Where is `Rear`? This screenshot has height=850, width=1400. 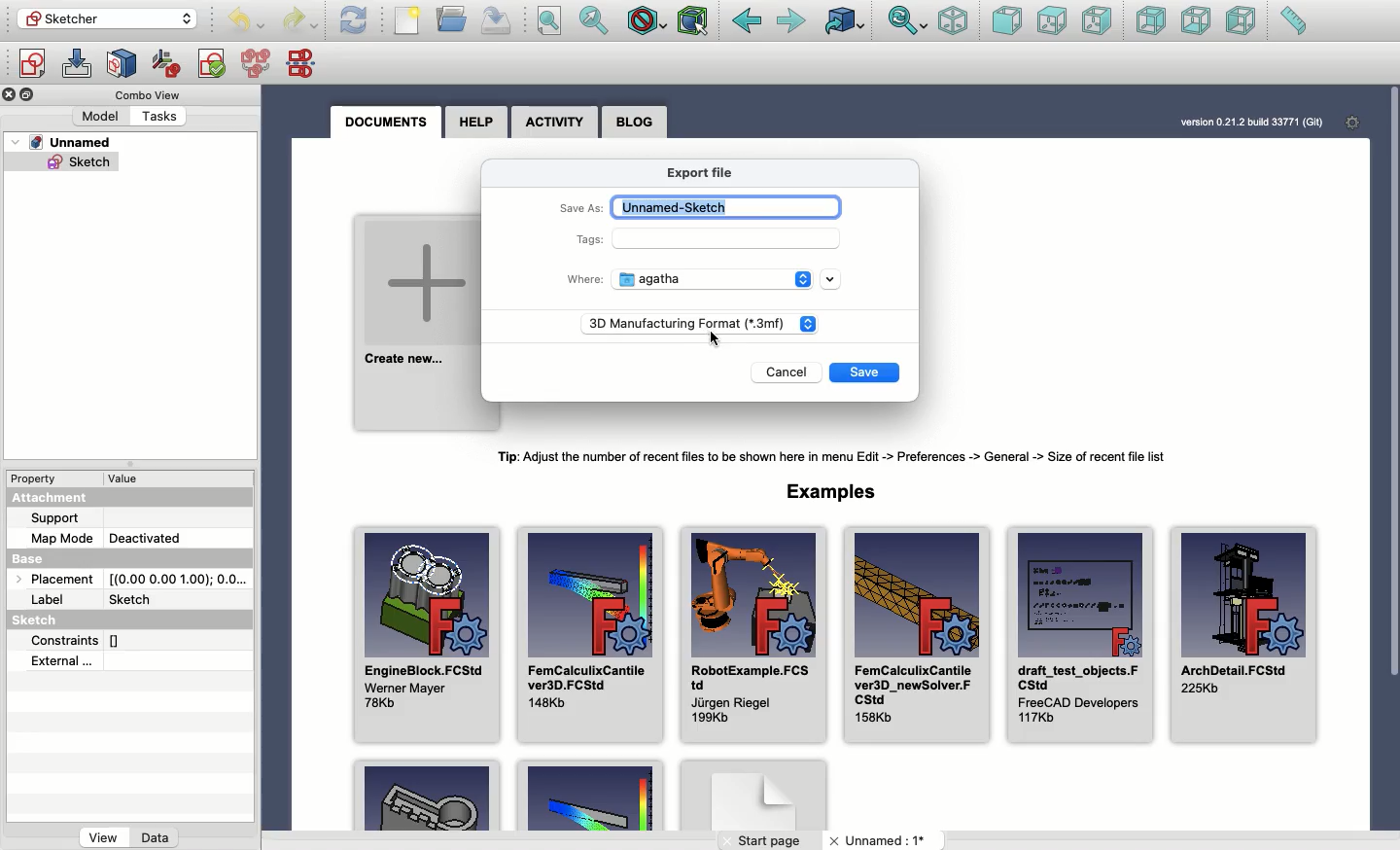
Rear is located at coordinates (1150, 22).